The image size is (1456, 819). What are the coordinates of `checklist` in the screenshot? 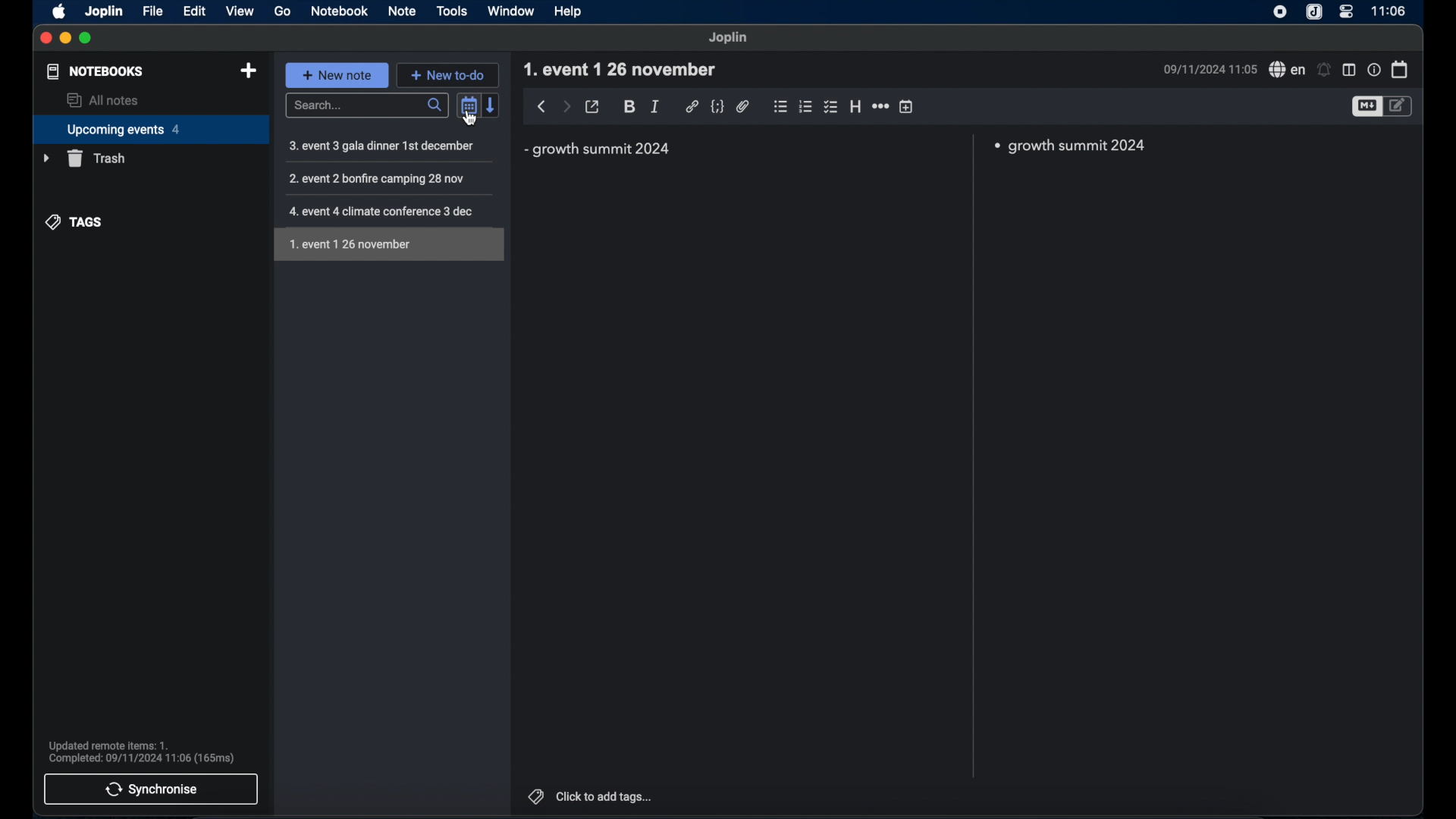 It's located at (830, 107).